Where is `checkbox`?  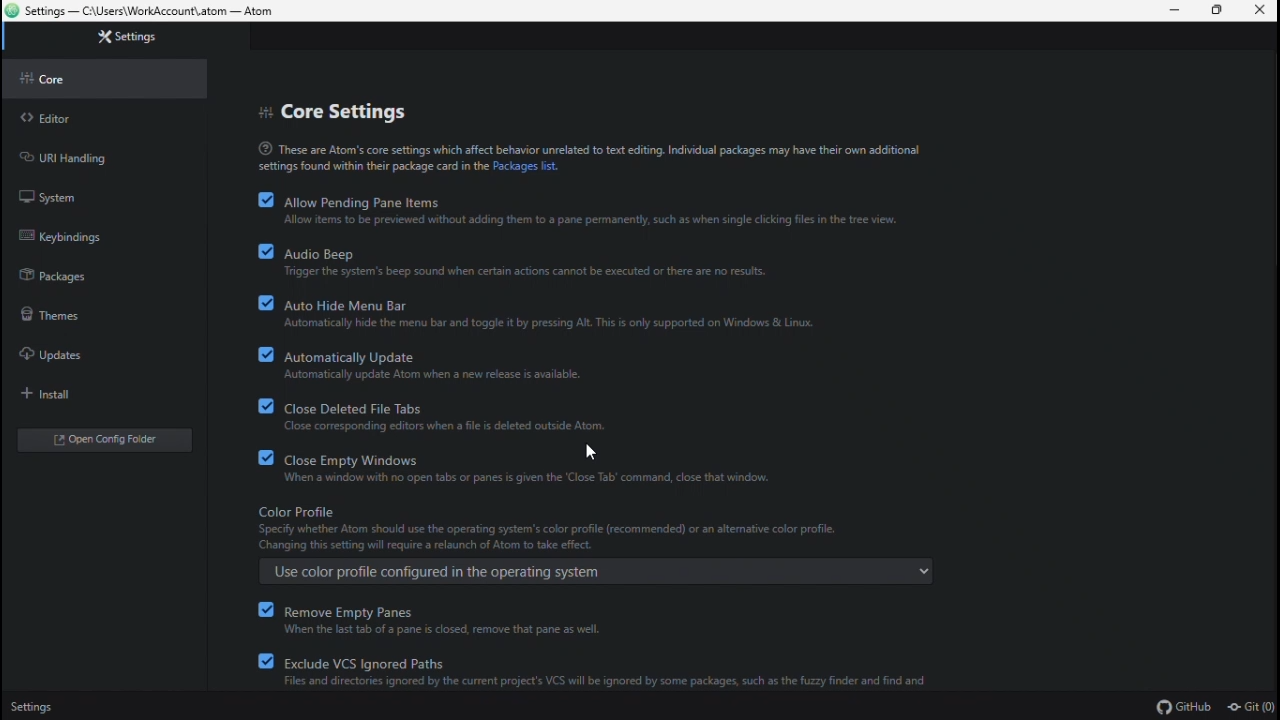 checkbox is located at coordinates (263, 611).